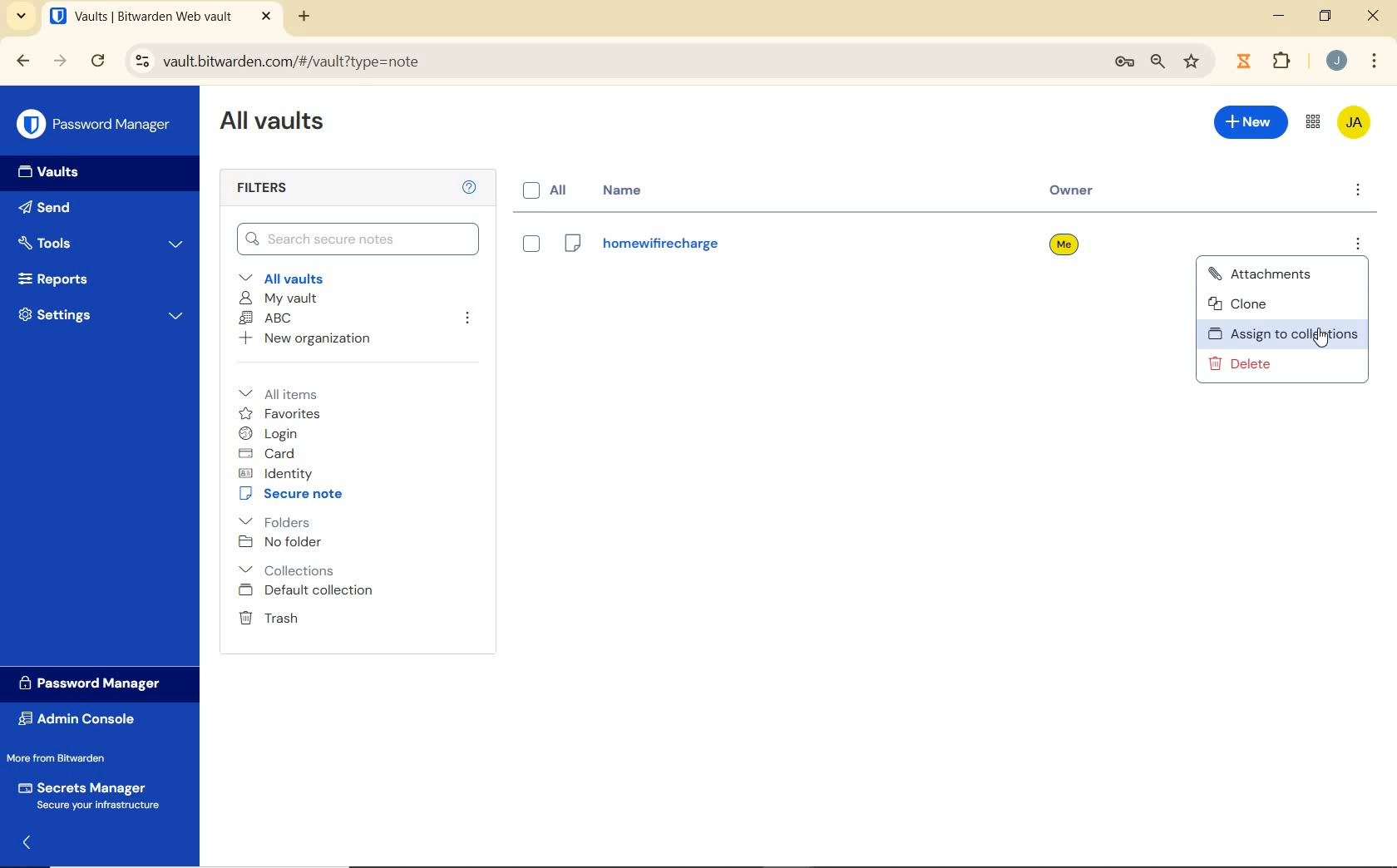 The image size is (1397, 868). What do you see at coordinates (1375, 60) in the screenshot?
I see `customize Google chrome` at bounding box center [1375, 60].